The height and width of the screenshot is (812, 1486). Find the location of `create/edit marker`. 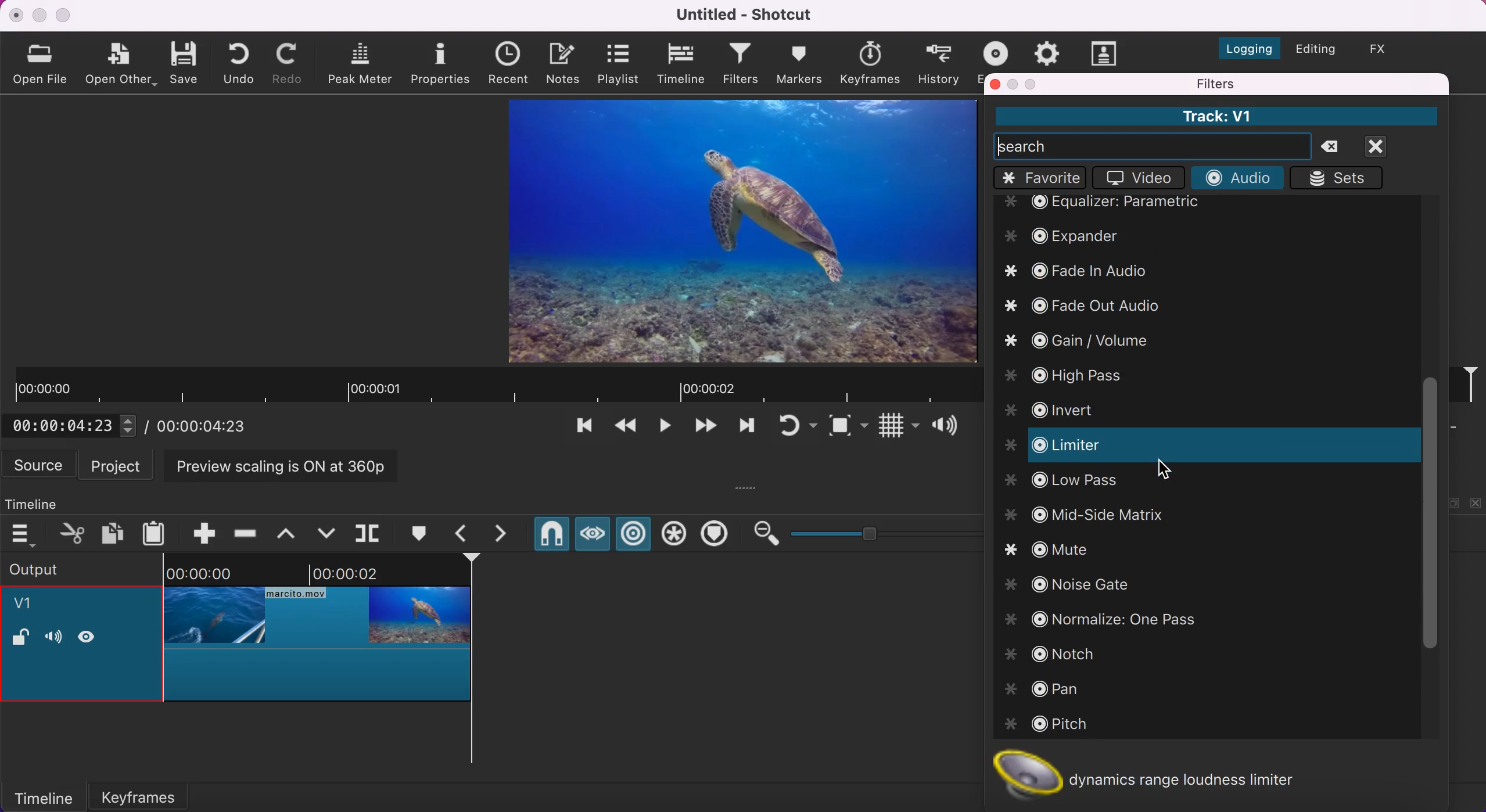

create/edit marker is located at coordinates (422, 534).